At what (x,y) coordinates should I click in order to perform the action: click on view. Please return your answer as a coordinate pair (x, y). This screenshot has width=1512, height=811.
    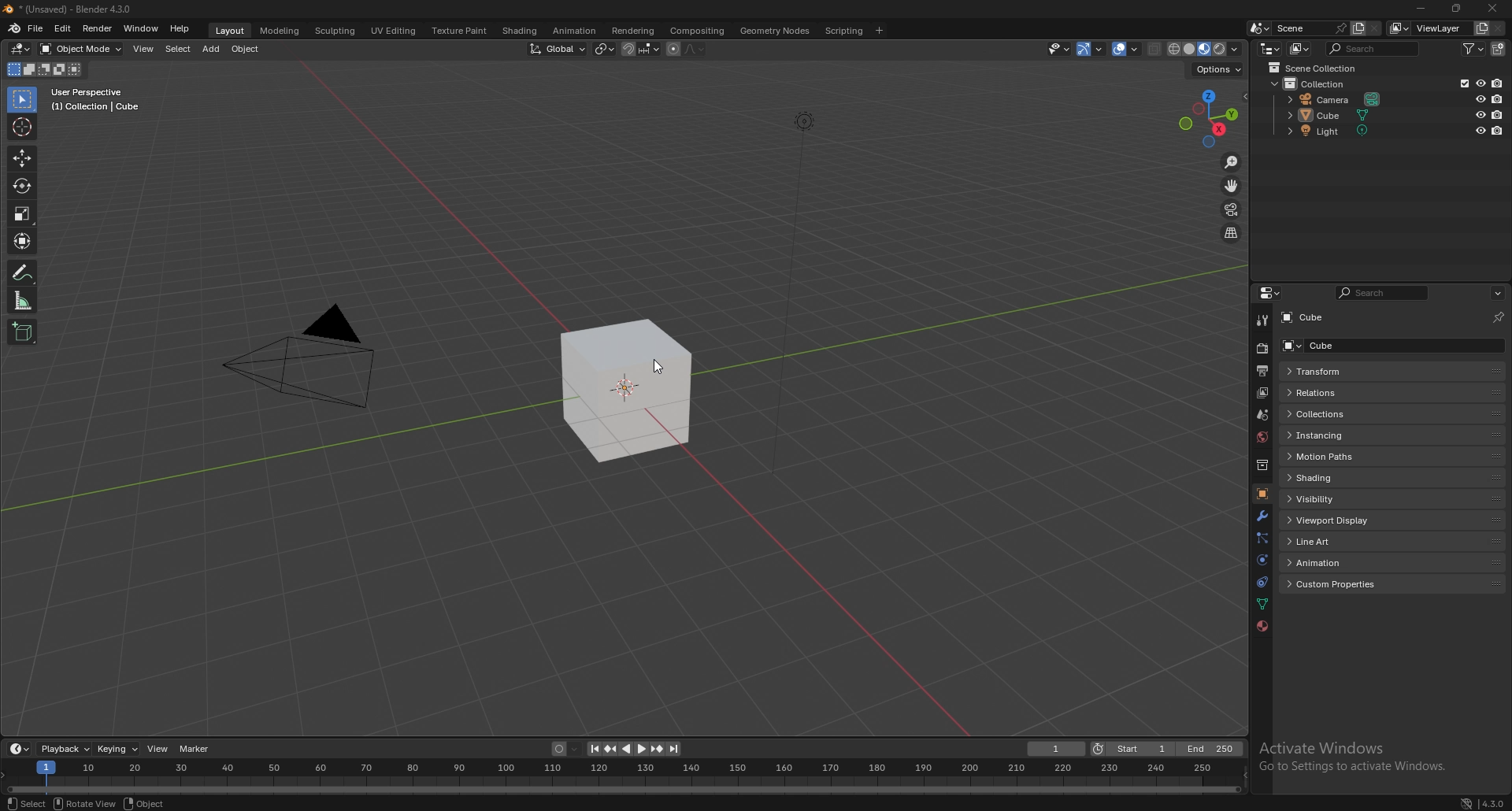
    Looking at the image, I should click on (157, 749).